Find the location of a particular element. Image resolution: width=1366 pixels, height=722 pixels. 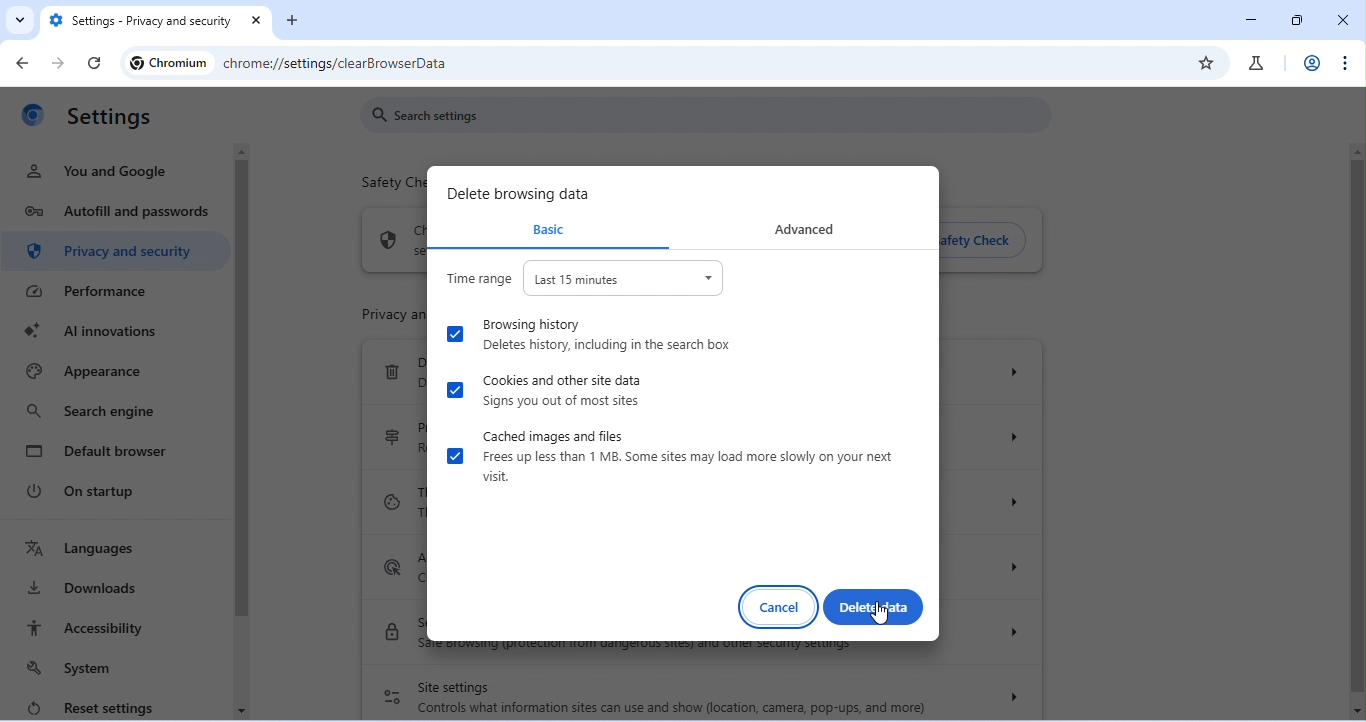

refresh is located at coordinates (95, 64).